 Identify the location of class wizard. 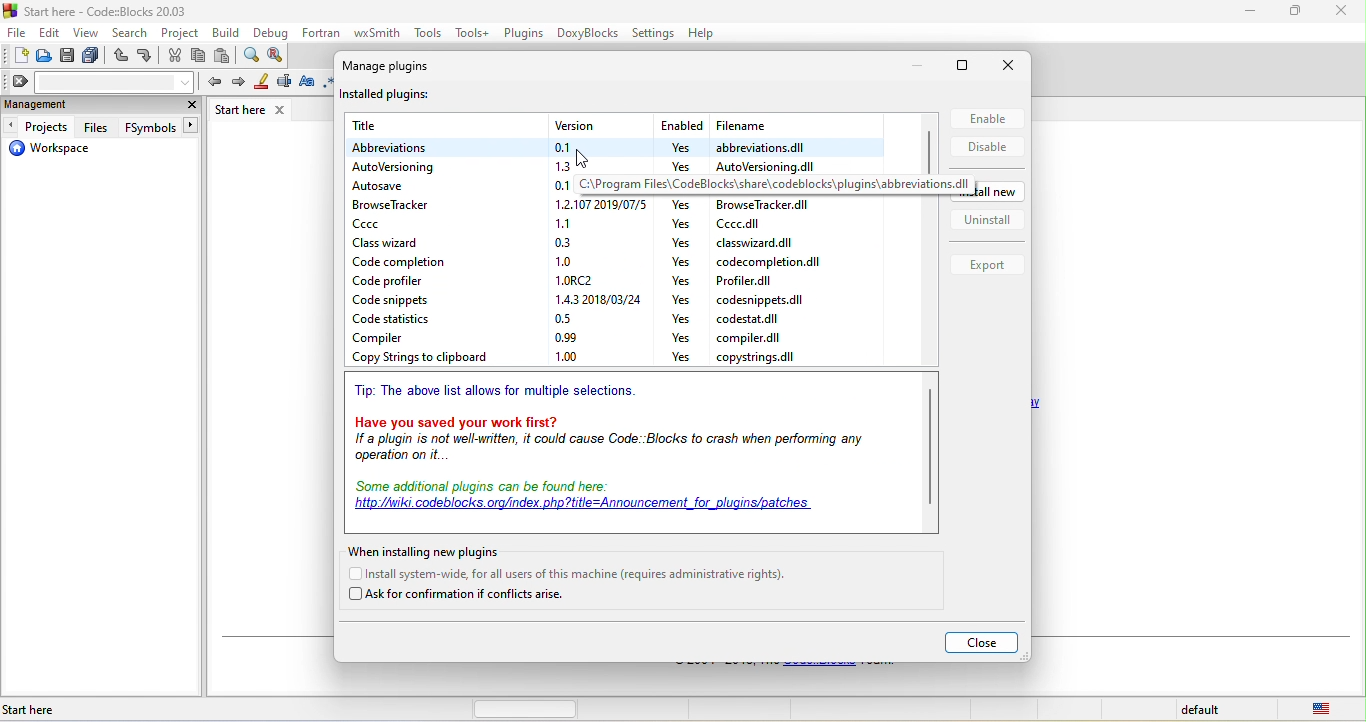
(395, 244).